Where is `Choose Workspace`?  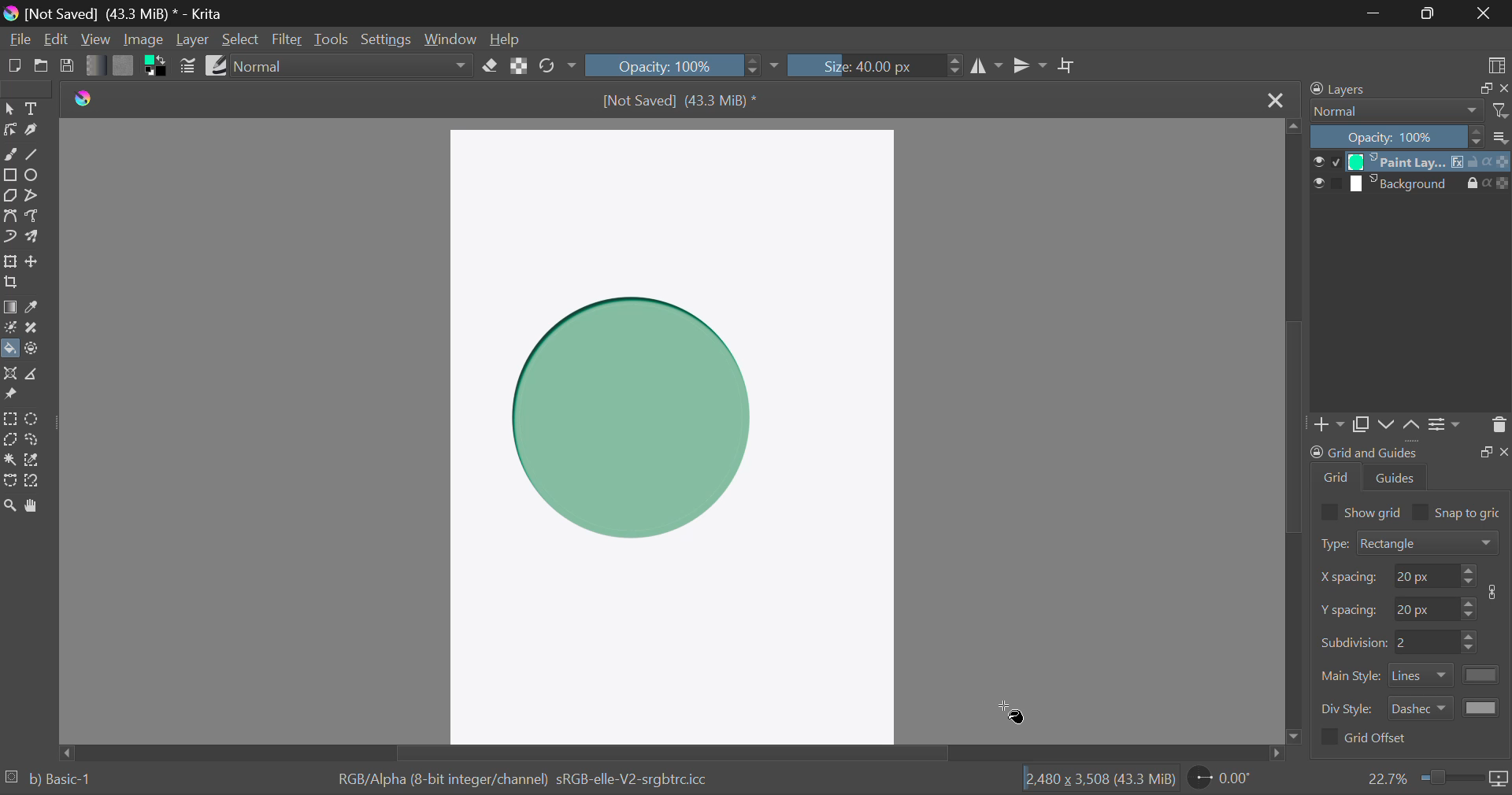 Choose Workspace is located at coordinates (1495, 65).